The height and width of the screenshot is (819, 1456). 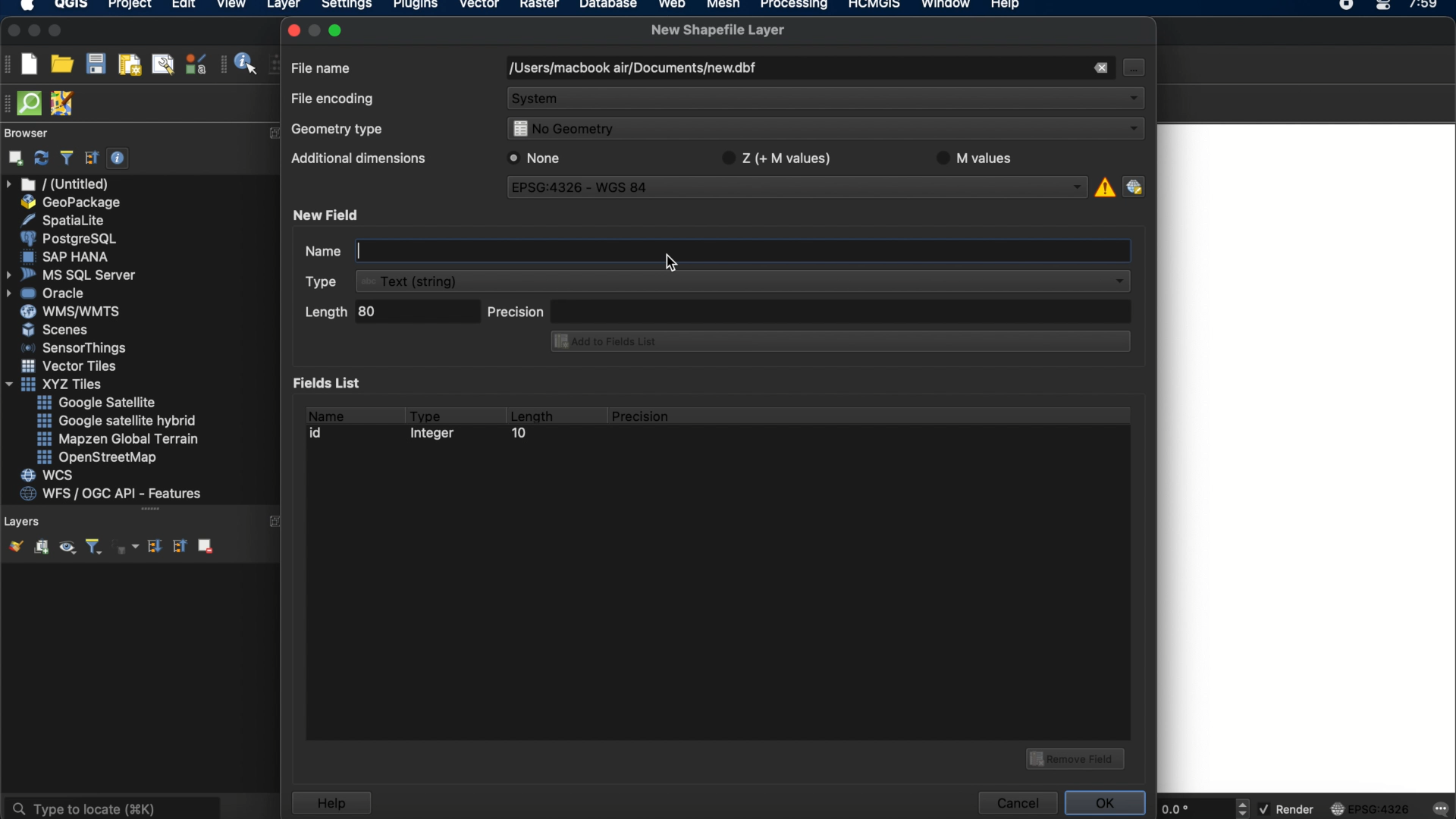 What do you see at coordinates (1382, 7) in the screenshot?
I see `control center macOS` at bounding box center [1382, 7].